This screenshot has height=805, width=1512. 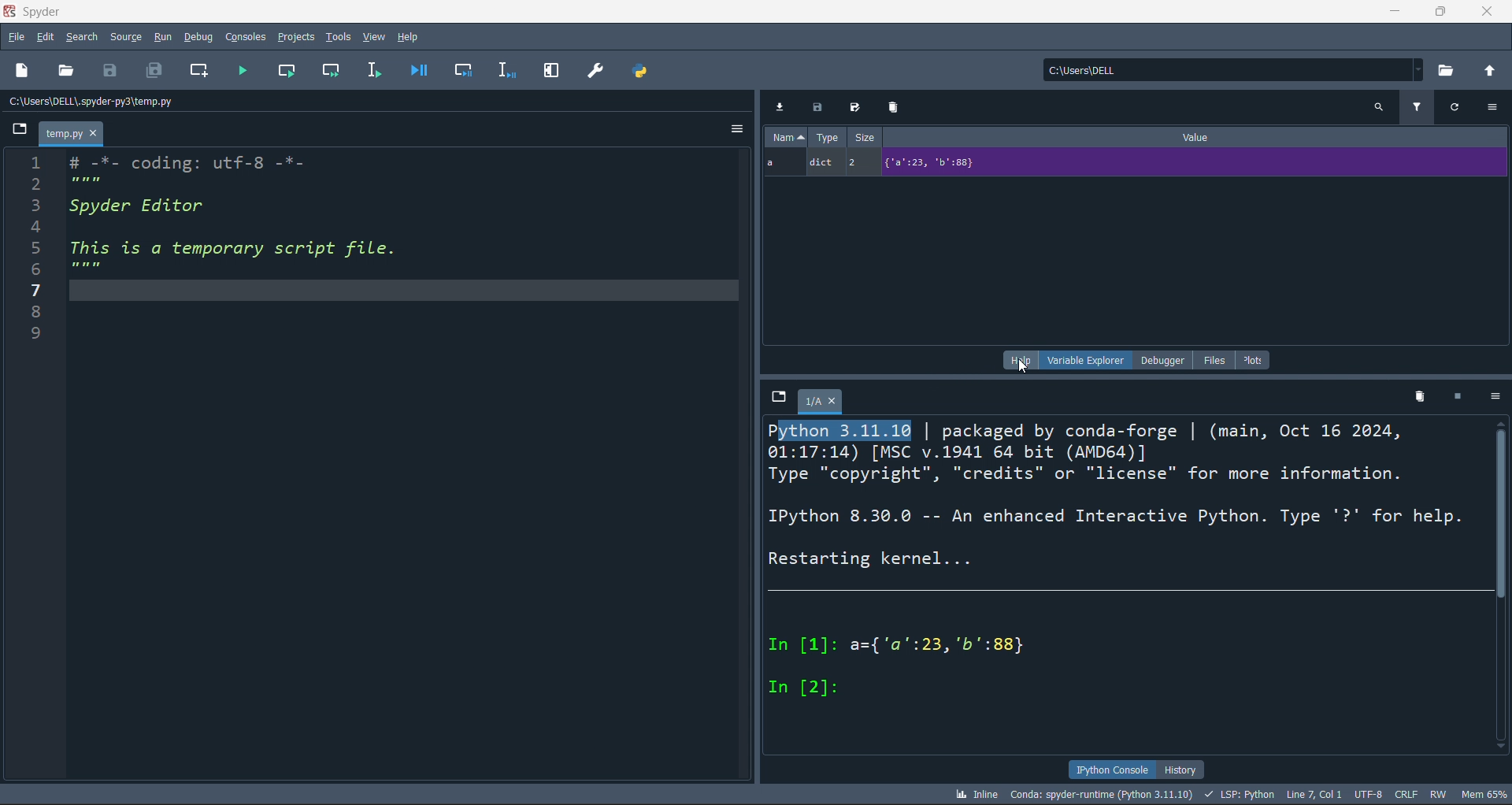 I want to click on Python 3.11.10 | packaged by conda-forge | (main, Oct 16 2024,
01:17:14) [MSC v.1941 64 bit (AMD64)]

Type “copyright”, "credits" or "license" for more information.
IPython 8.30.0 -- An enhanced Interactive Python. Type '?' for help.
Restarting kernel...

In [1]: a={'a":23,'b':88}

In [2]:, so click(x=1121, y=566).